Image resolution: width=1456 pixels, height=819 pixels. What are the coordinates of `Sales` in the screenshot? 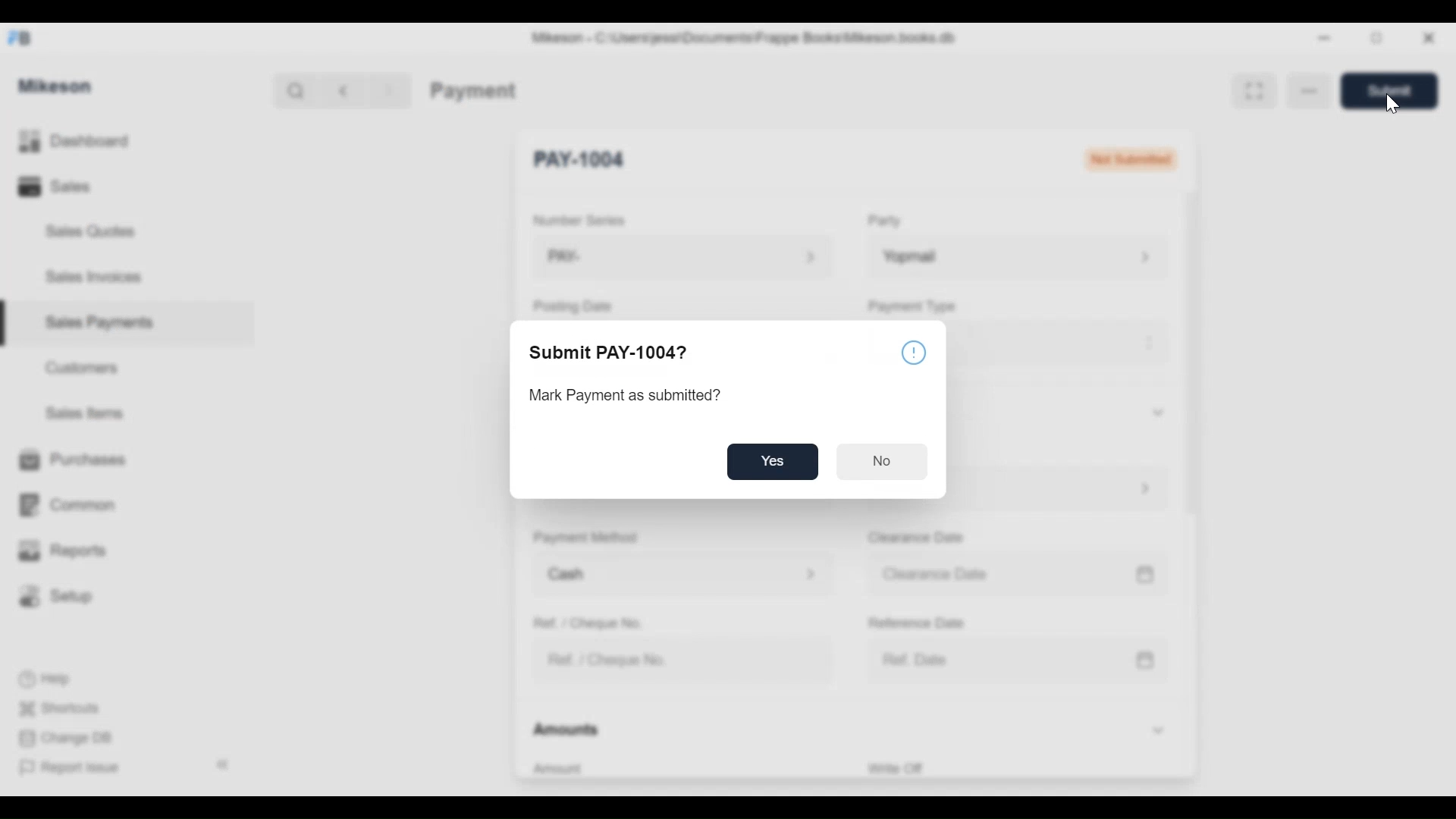 It's located at (53, 188).